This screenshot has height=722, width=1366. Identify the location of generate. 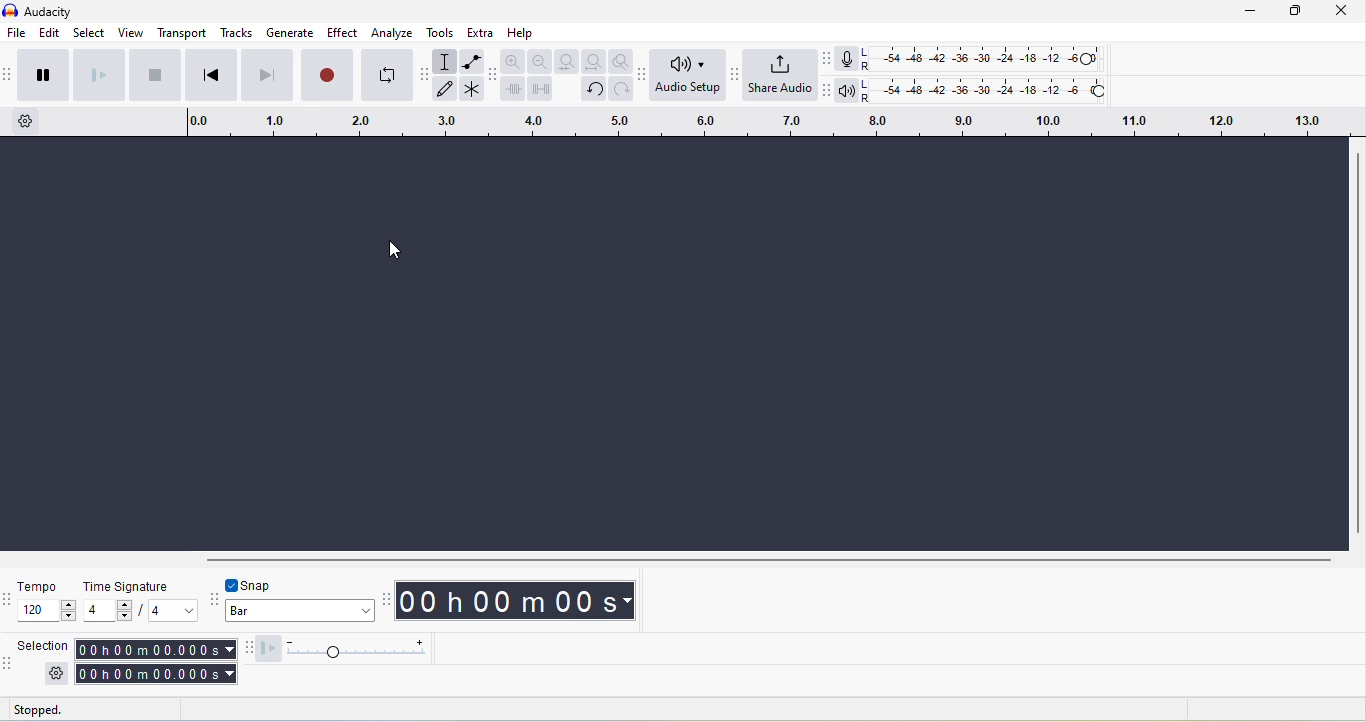
(287, 34).